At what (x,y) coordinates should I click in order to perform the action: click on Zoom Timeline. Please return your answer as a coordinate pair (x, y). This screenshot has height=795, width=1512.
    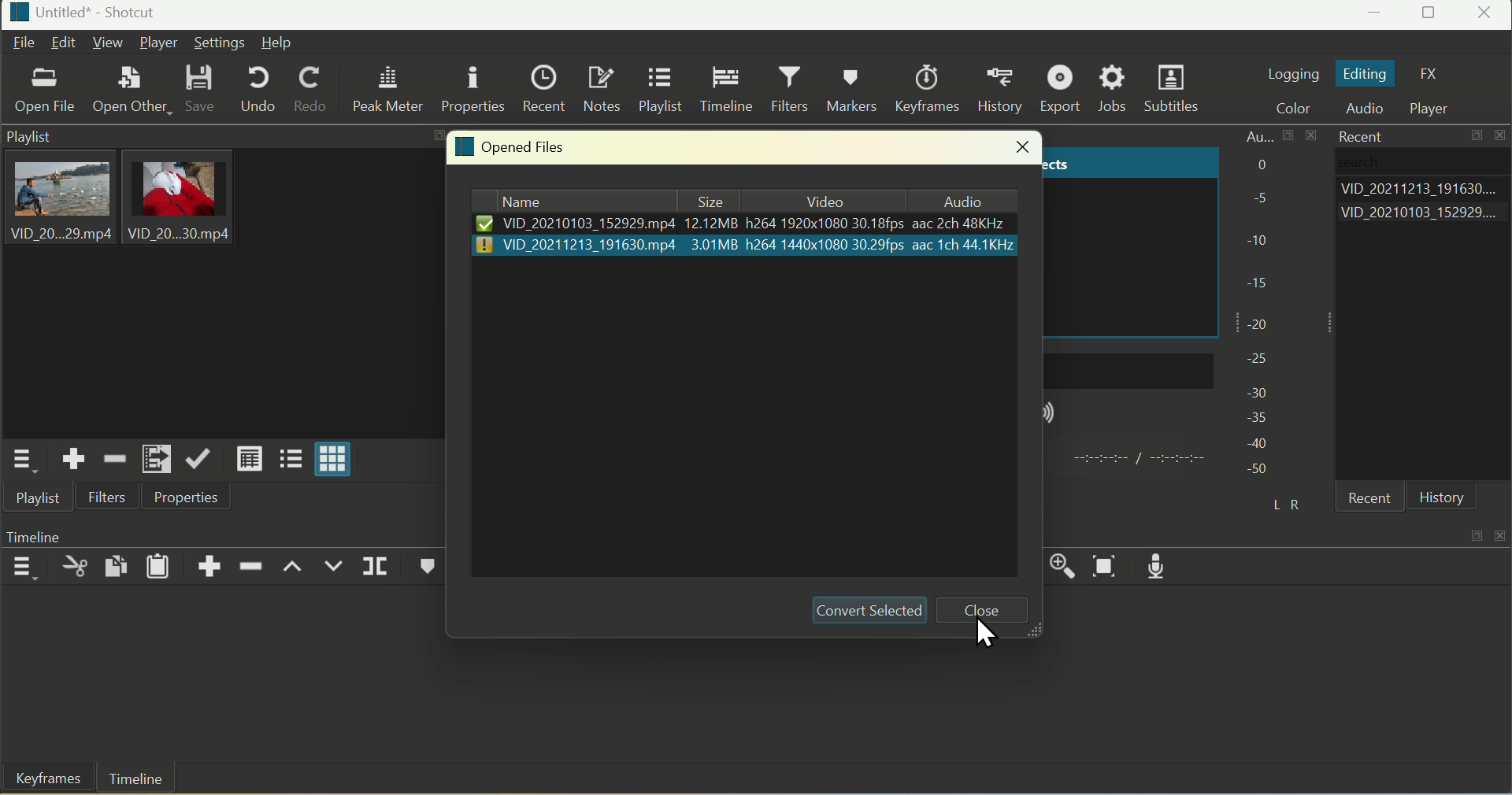
    Looking at the image, I should click on (1106, 567).